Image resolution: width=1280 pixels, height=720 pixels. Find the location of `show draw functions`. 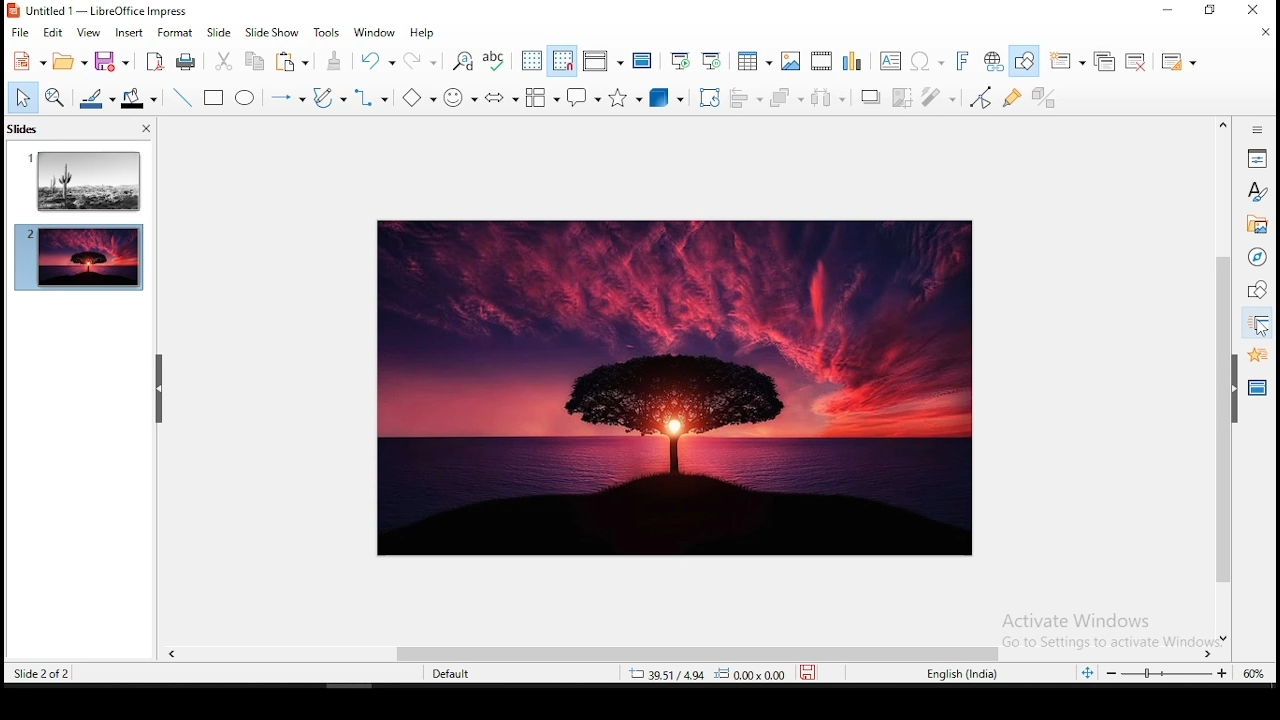

show draw functions is located at coordinates (1023, 62).